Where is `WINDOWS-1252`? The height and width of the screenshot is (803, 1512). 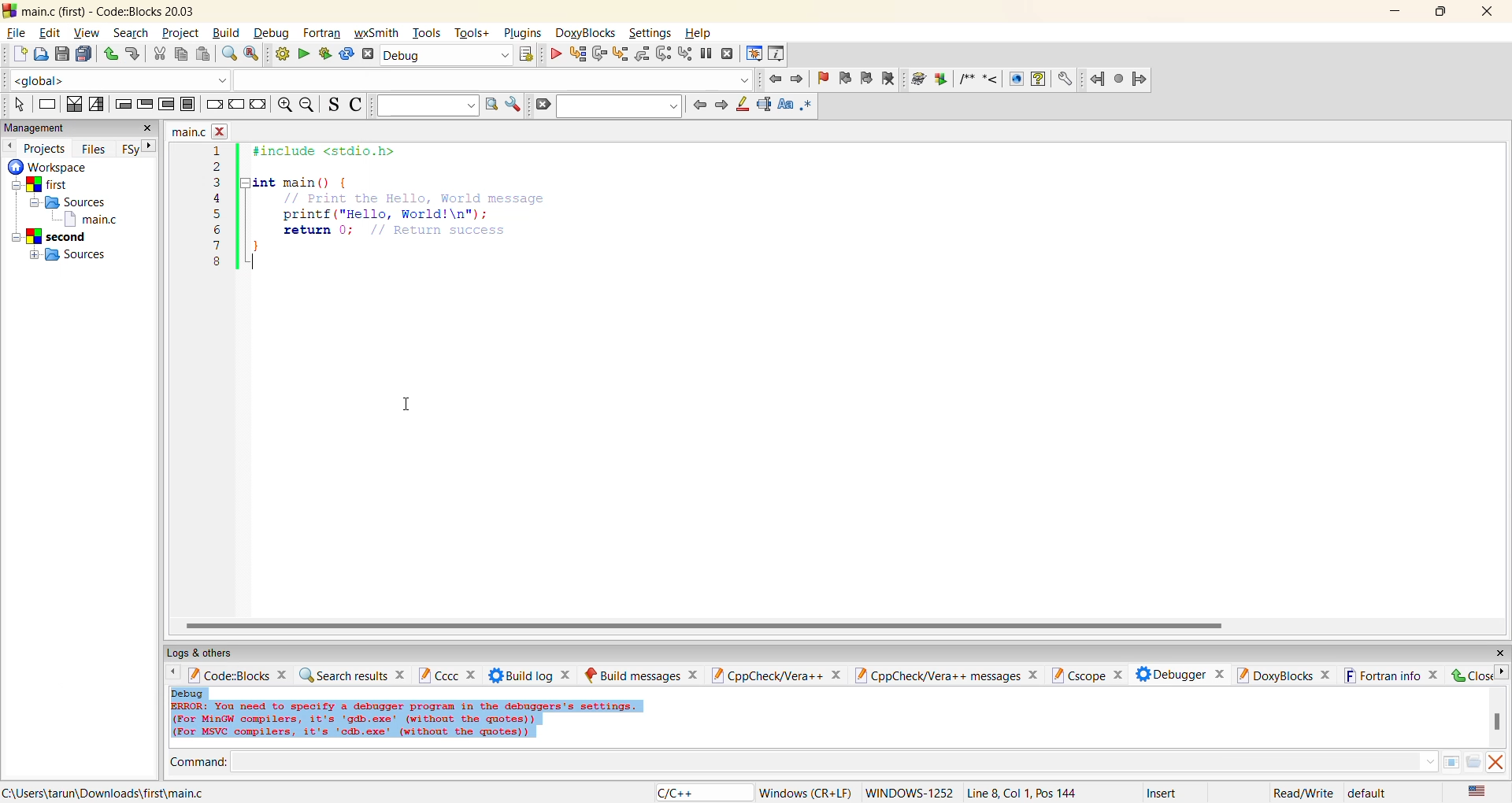
WINDOWS-1252 is located at coordinates (907, 791).